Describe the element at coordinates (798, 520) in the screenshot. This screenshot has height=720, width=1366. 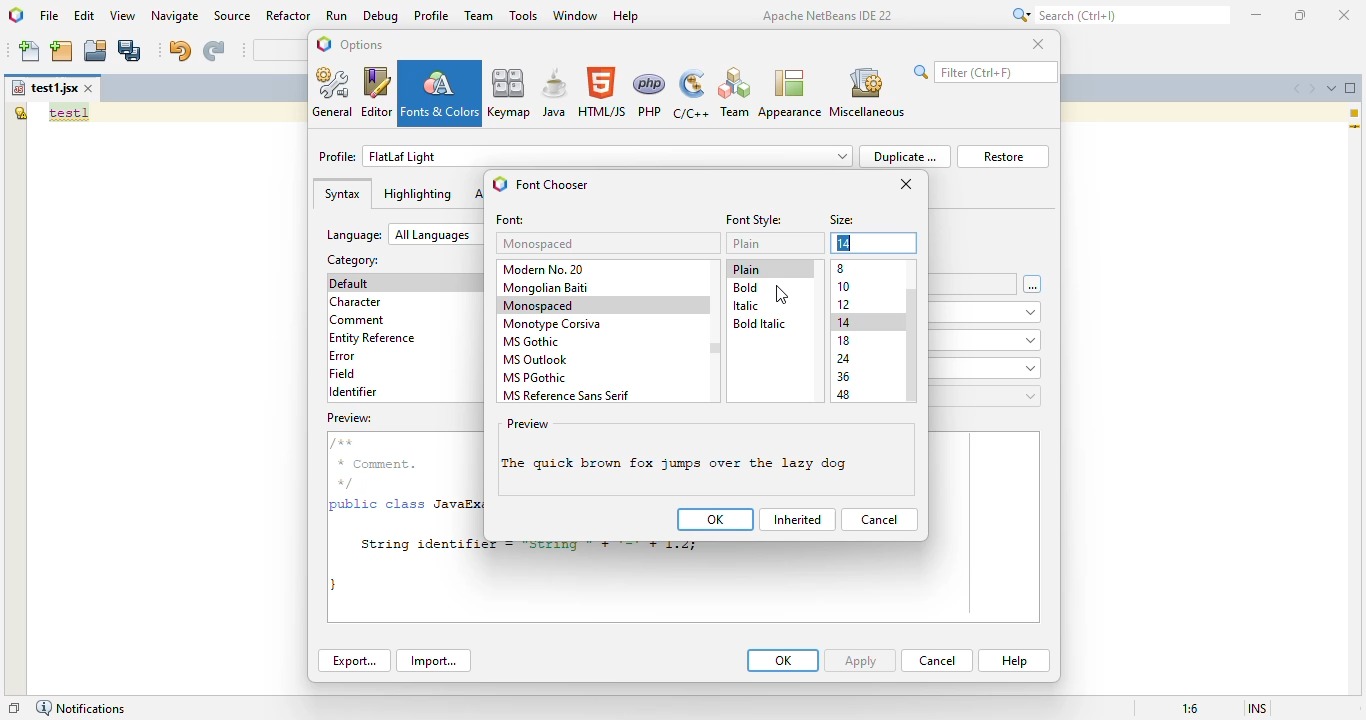
I see `inherited` at that location.